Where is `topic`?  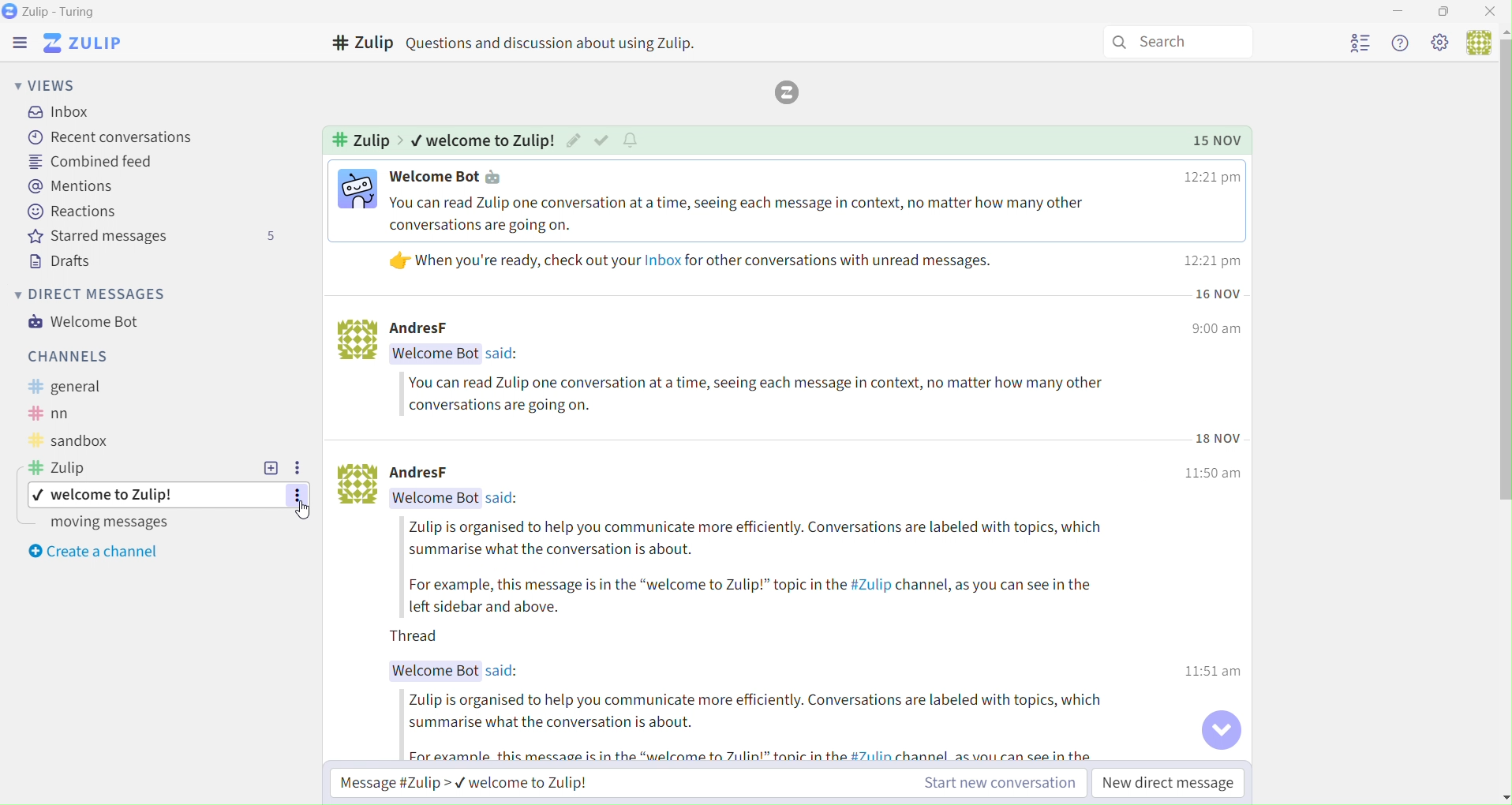 topic is located at coordinates (119, 495).